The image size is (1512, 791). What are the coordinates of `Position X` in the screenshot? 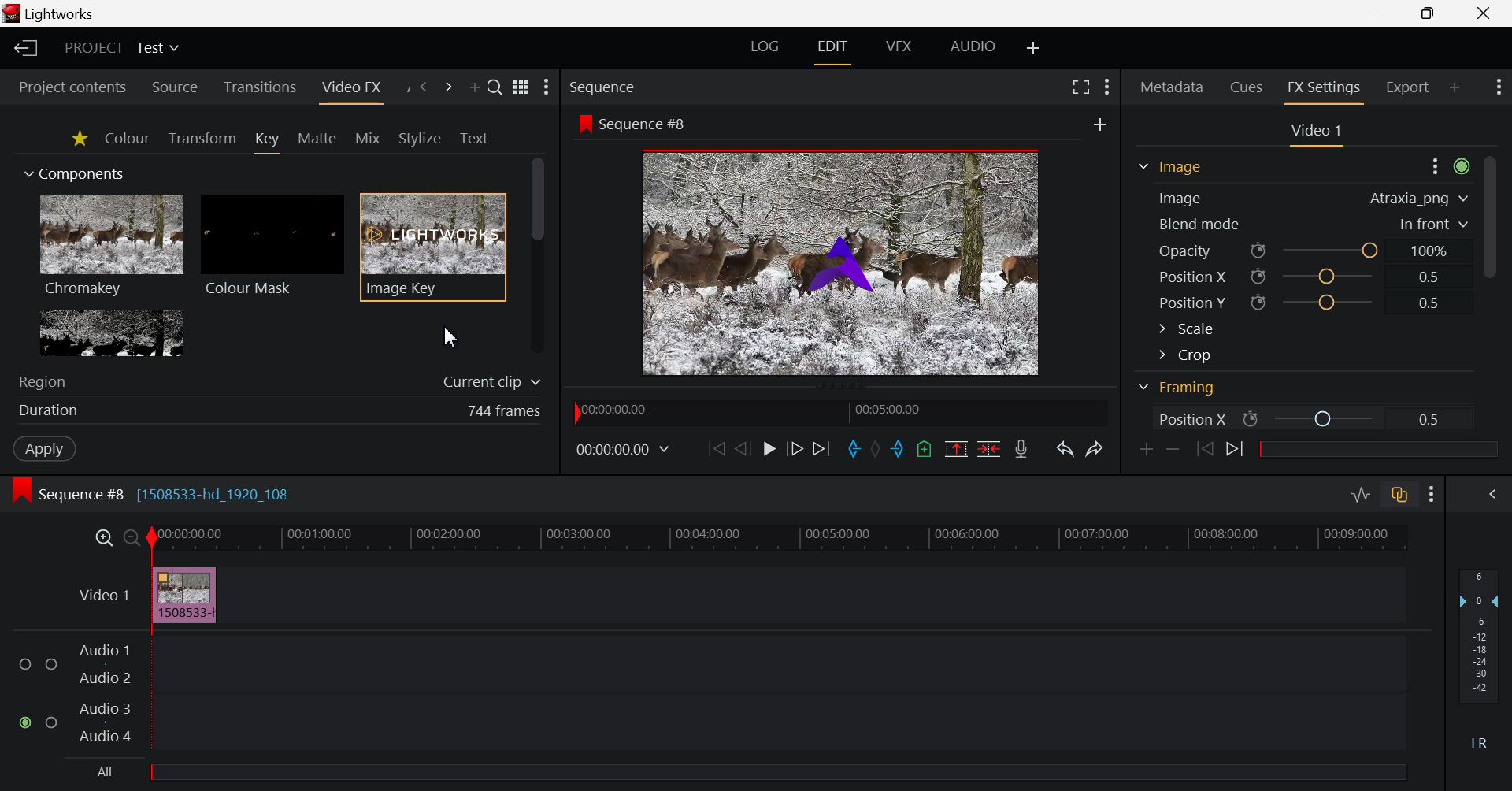 It's located at (1191, 274).